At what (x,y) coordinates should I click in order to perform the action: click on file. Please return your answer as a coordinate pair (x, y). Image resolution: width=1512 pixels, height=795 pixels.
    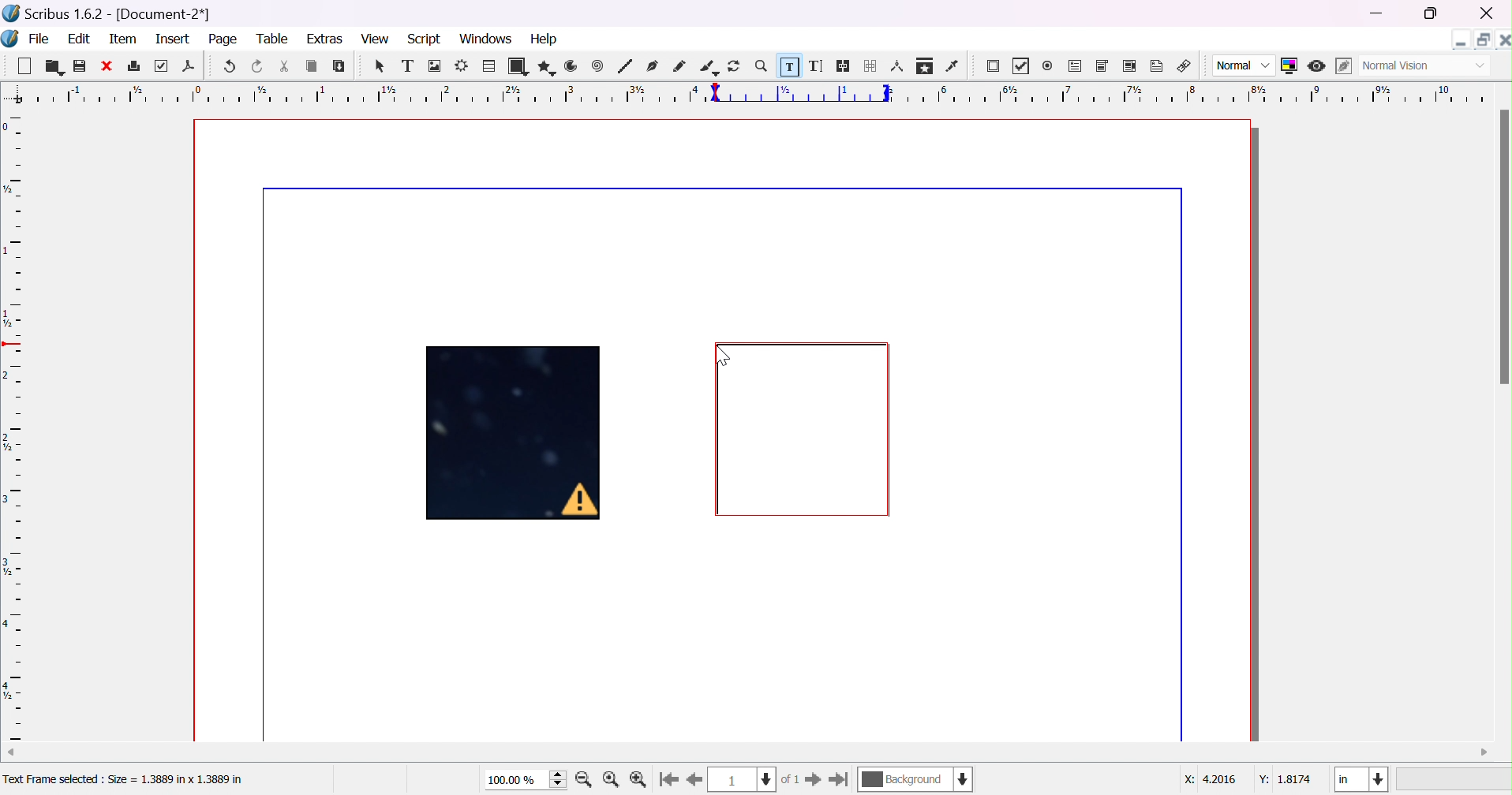
    Looking at the image, I should click on (39, 38).